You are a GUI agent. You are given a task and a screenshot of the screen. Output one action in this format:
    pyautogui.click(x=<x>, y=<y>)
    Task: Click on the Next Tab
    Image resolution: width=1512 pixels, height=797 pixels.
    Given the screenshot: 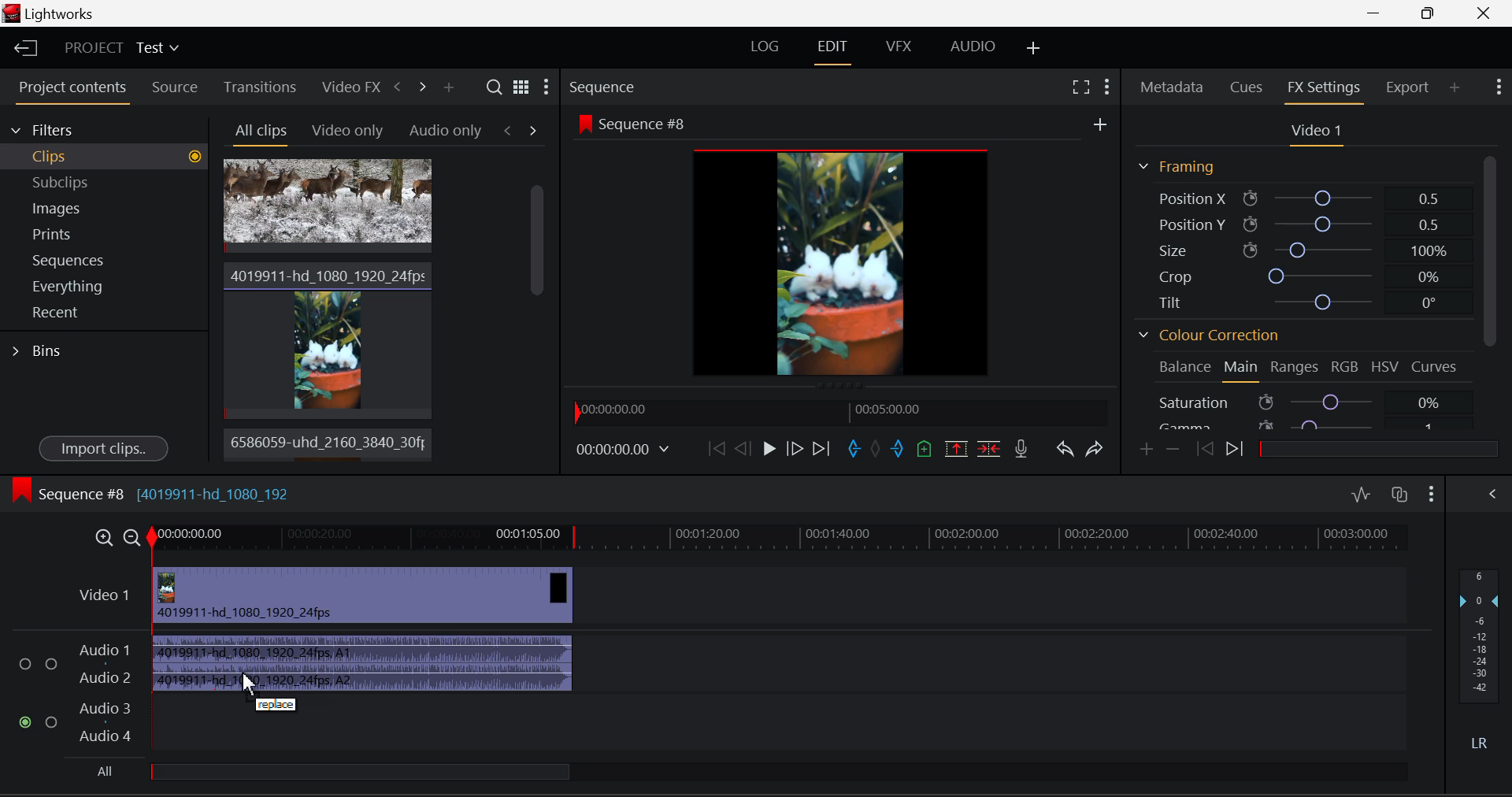 What is the action you would take?
    pyautogui.click(x=533, y=130)
    